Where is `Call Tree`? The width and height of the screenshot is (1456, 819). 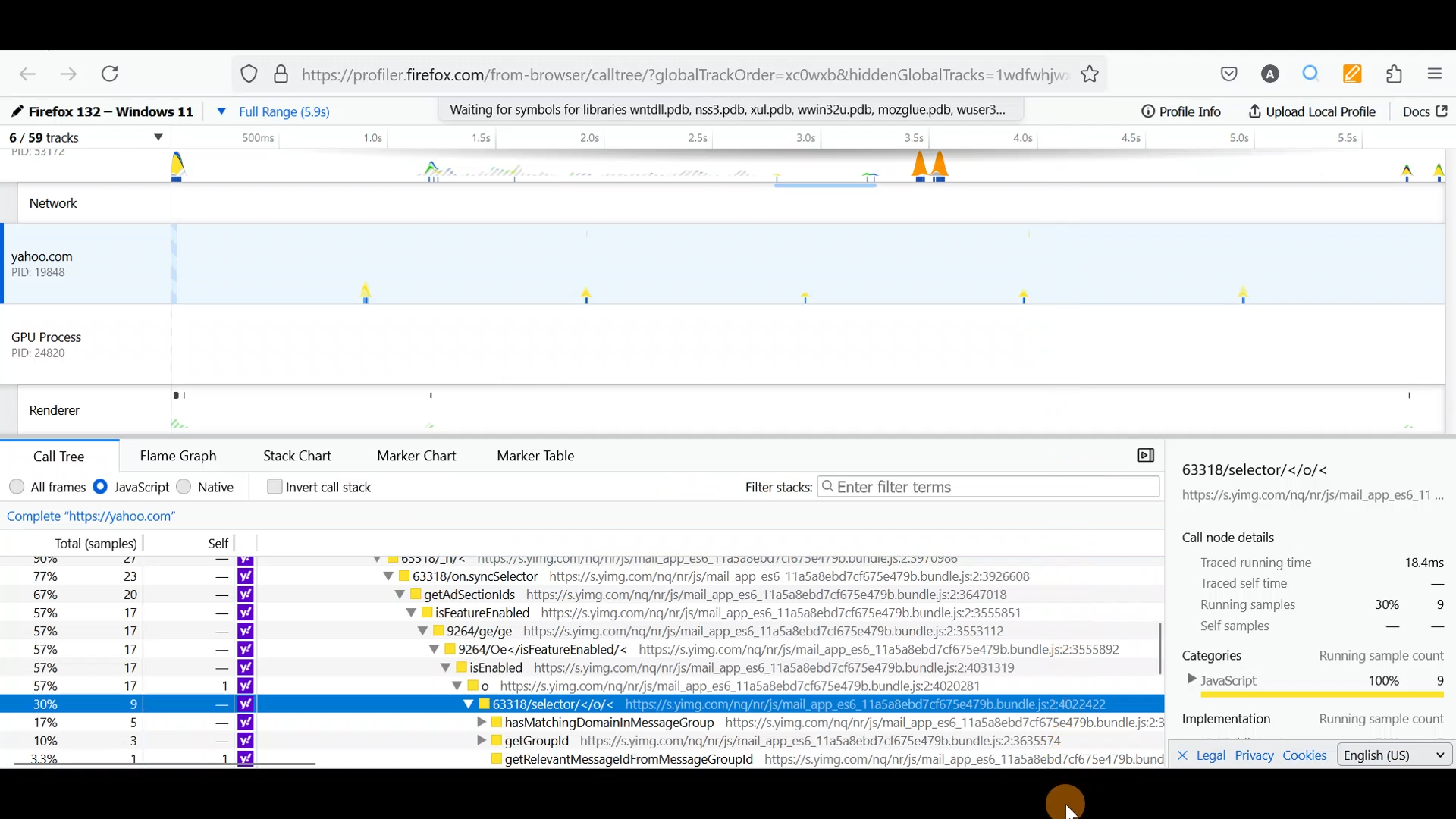
Call Tree is located at coordinates (65, 455).